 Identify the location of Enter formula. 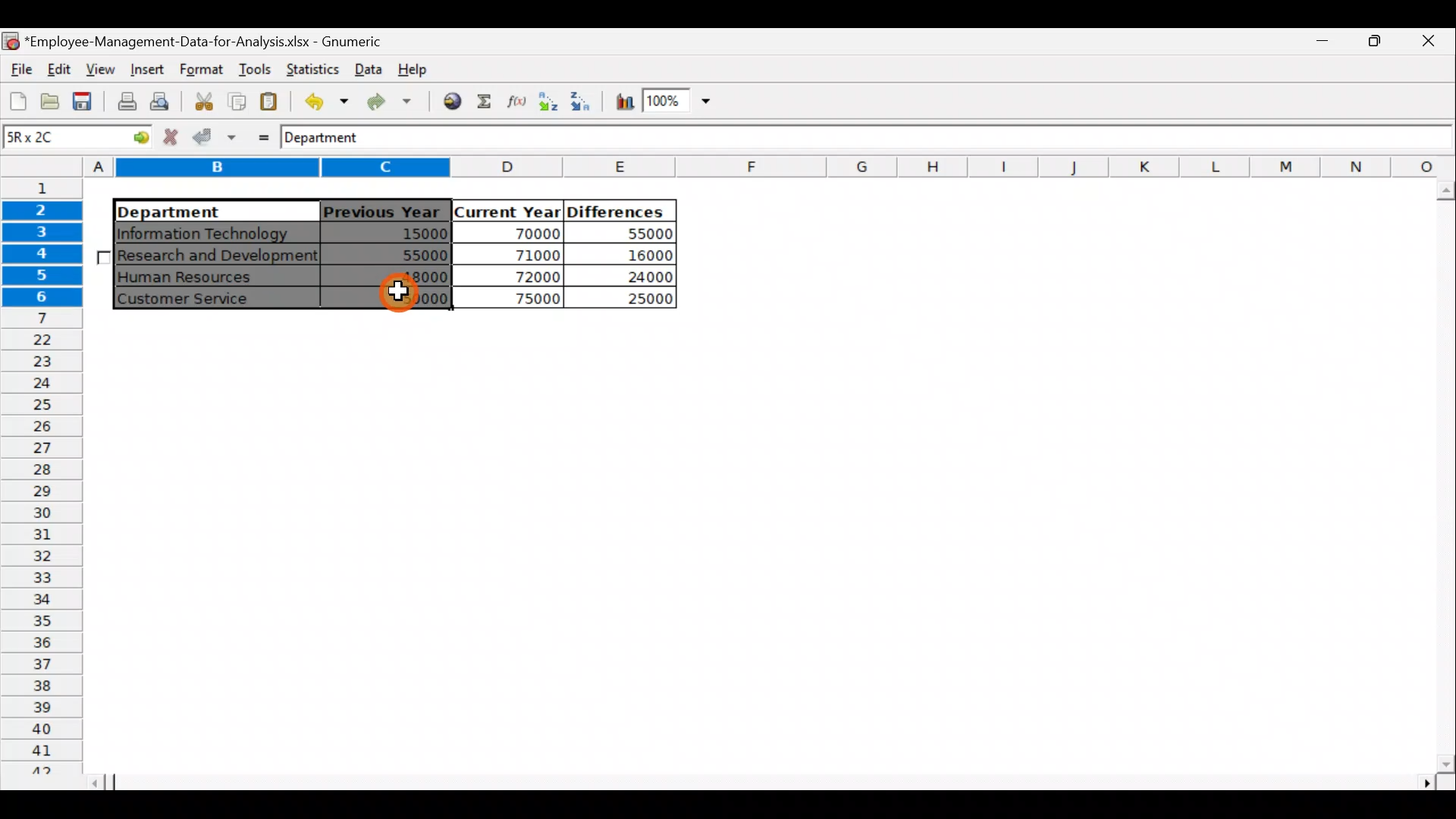
(259, 136).